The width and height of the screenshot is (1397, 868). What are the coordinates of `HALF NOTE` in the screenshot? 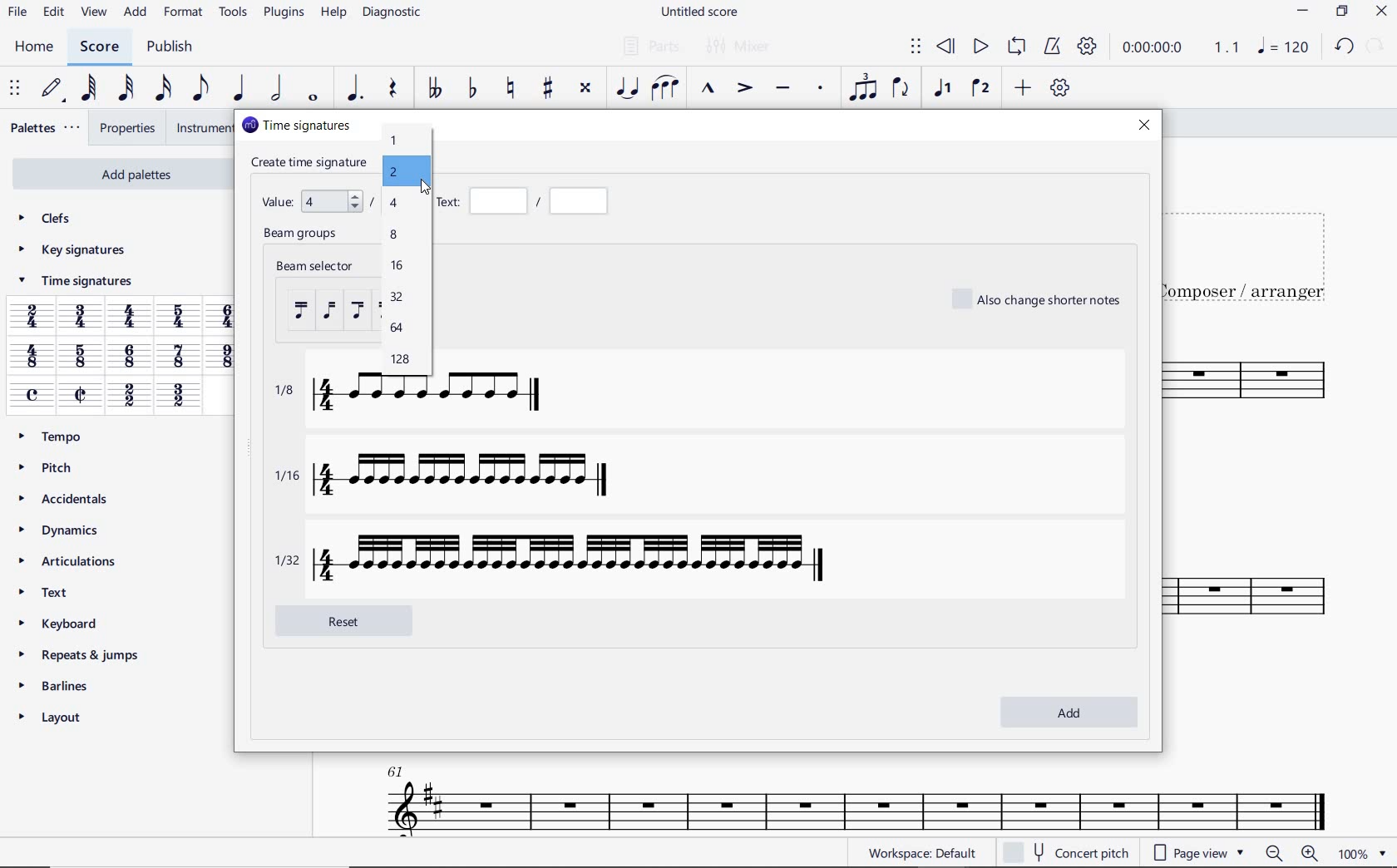 It's located at (275, 89).